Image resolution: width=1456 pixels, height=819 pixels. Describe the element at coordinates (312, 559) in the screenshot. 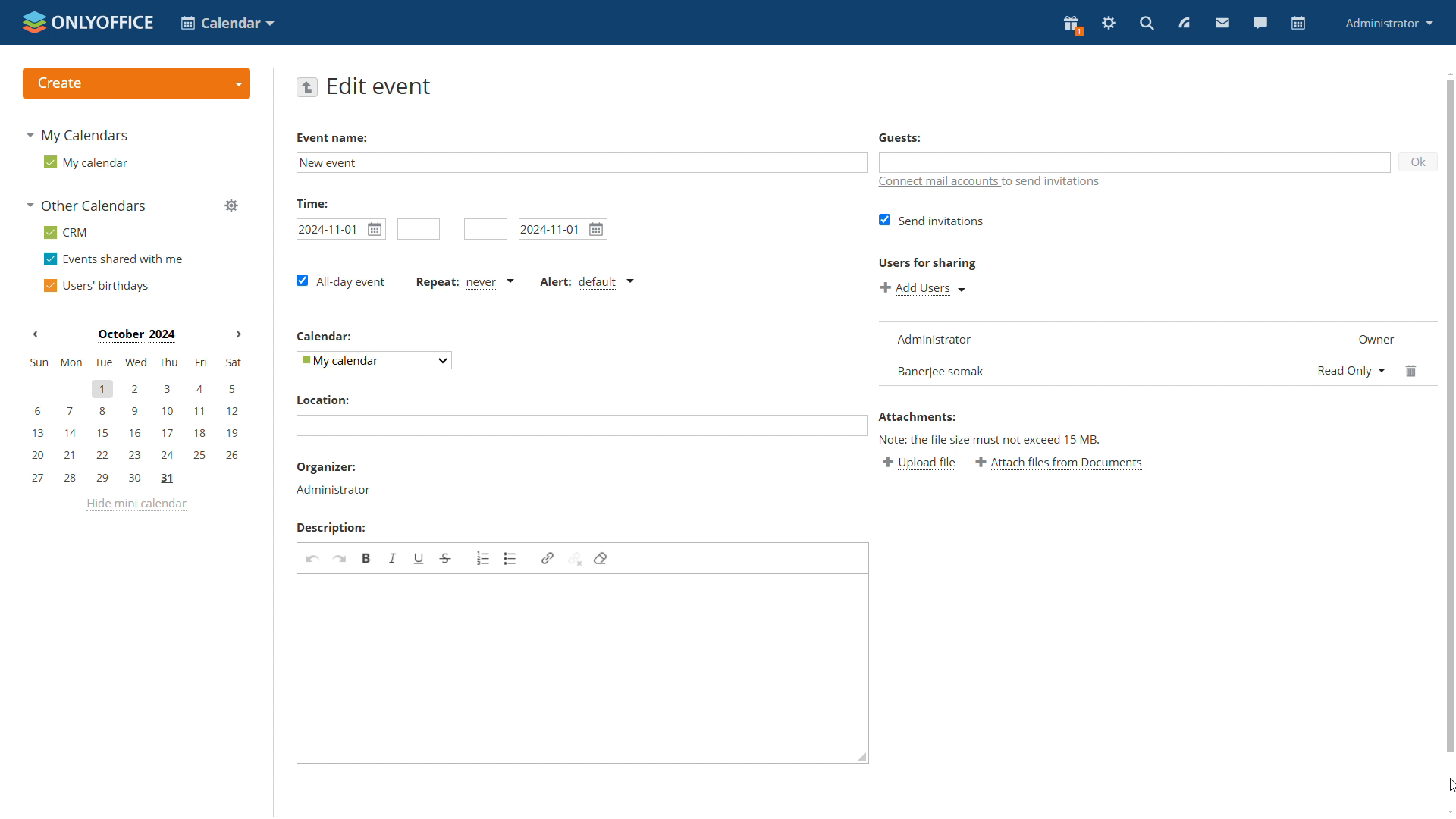

I see `undo` at that location.